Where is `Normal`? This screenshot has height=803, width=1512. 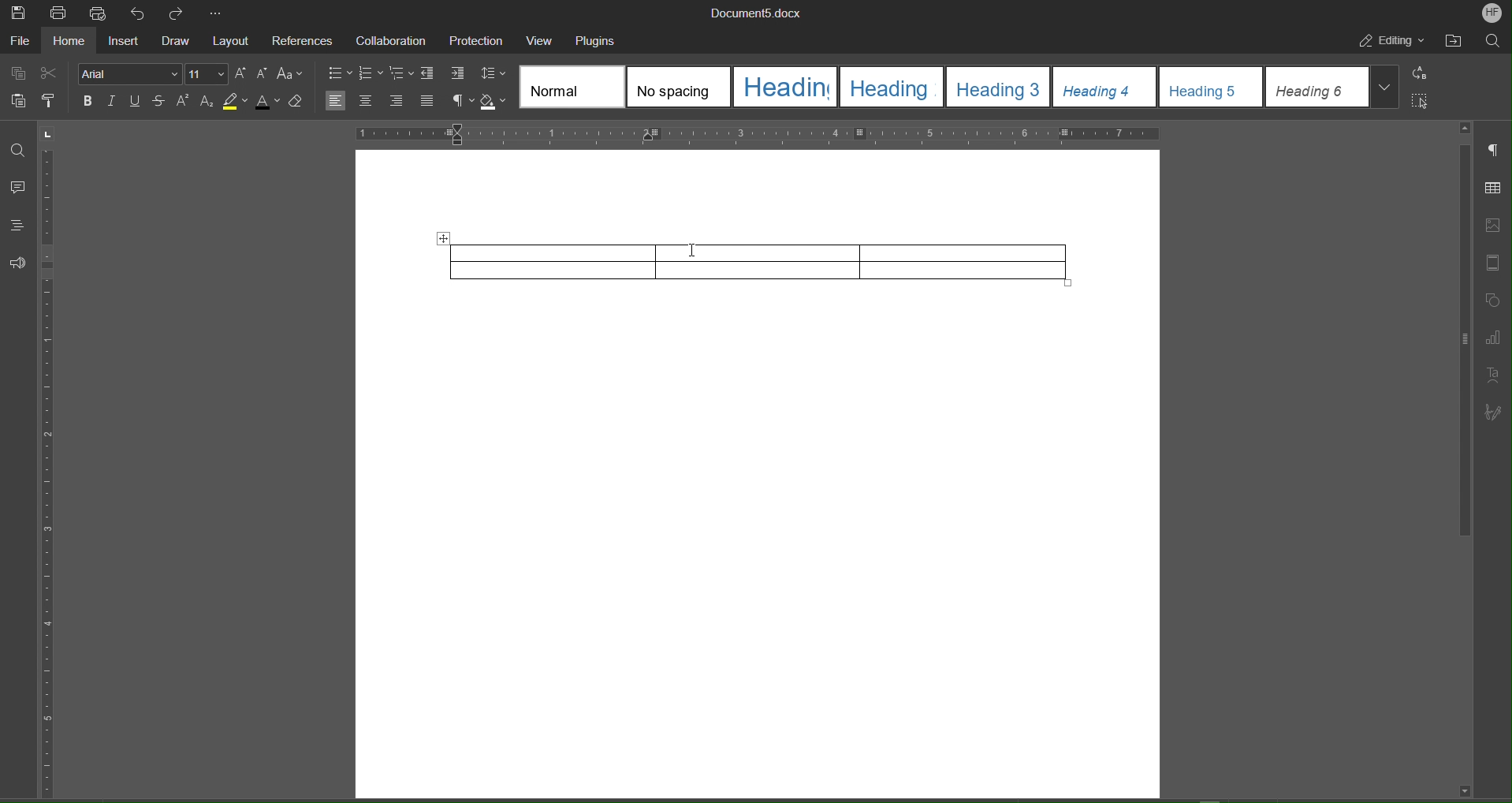
Normal is located at coordinates (572, 87).